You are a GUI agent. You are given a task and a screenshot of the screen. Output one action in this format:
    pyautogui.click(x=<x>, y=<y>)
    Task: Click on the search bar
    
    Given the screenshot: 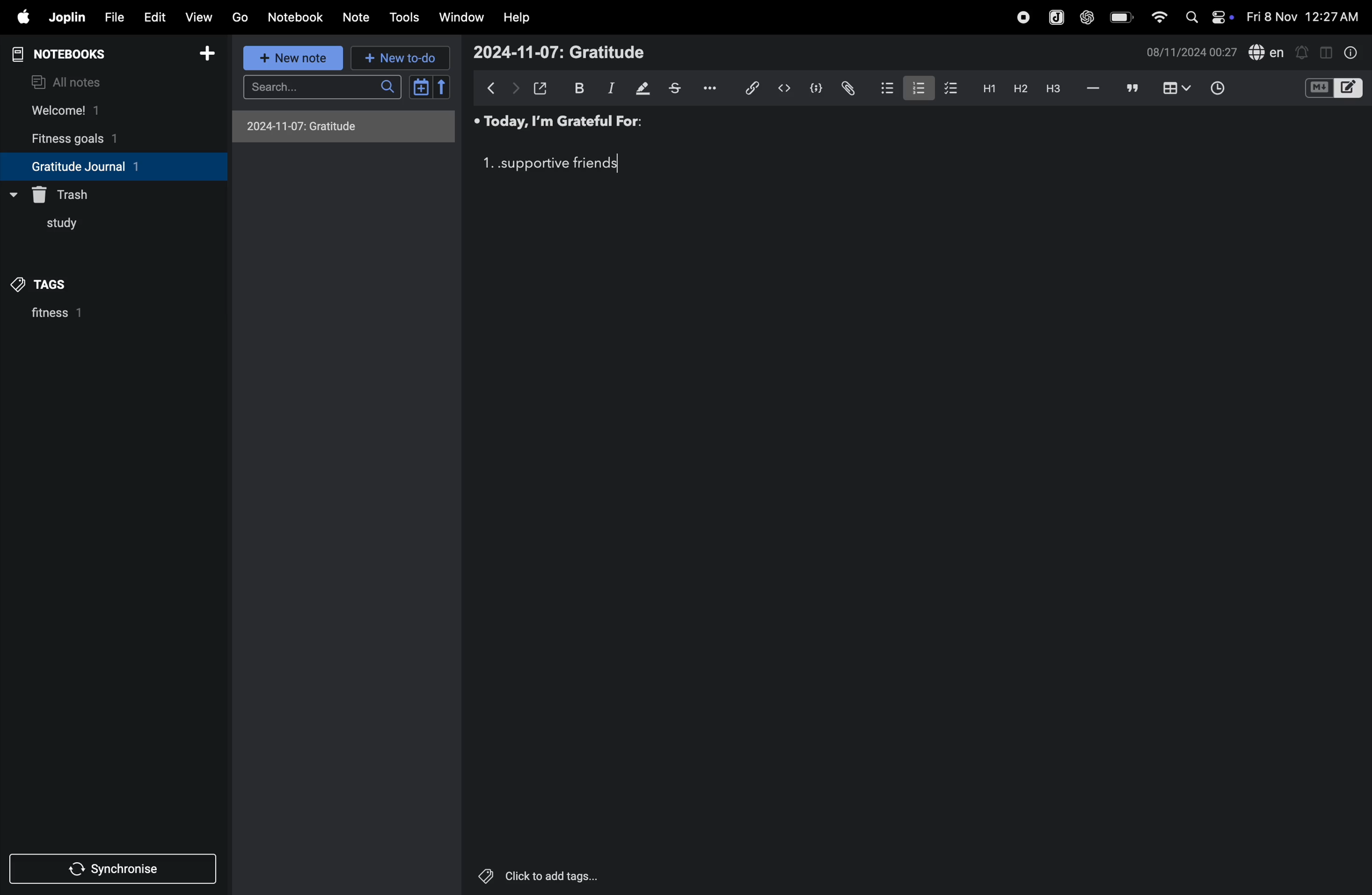 What is the action you would take?
    pyautogui.click(x=326, y=86)
    